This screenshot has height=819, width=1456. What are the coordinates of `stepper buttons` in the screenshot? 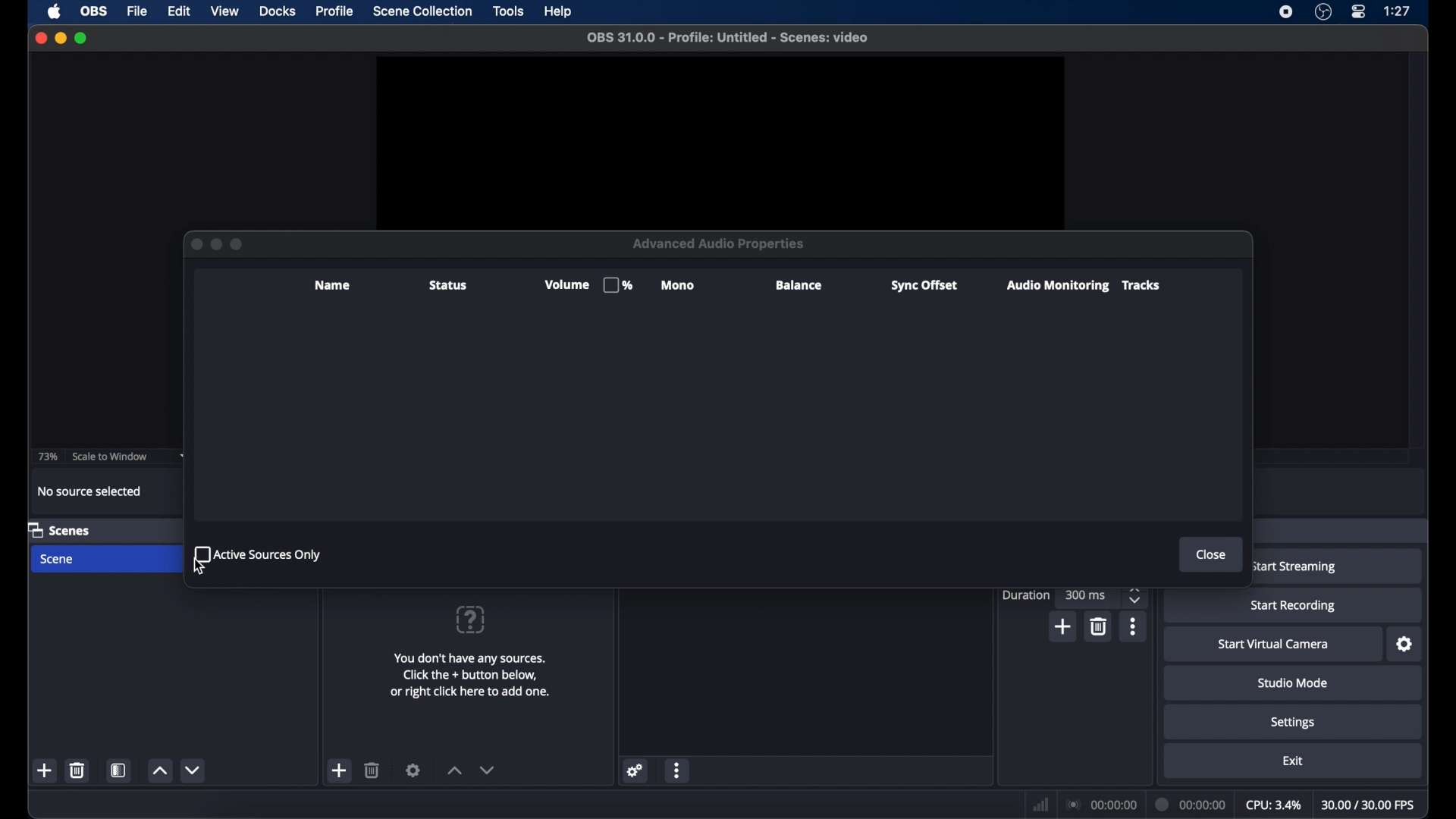 It's located at (1136, 595).